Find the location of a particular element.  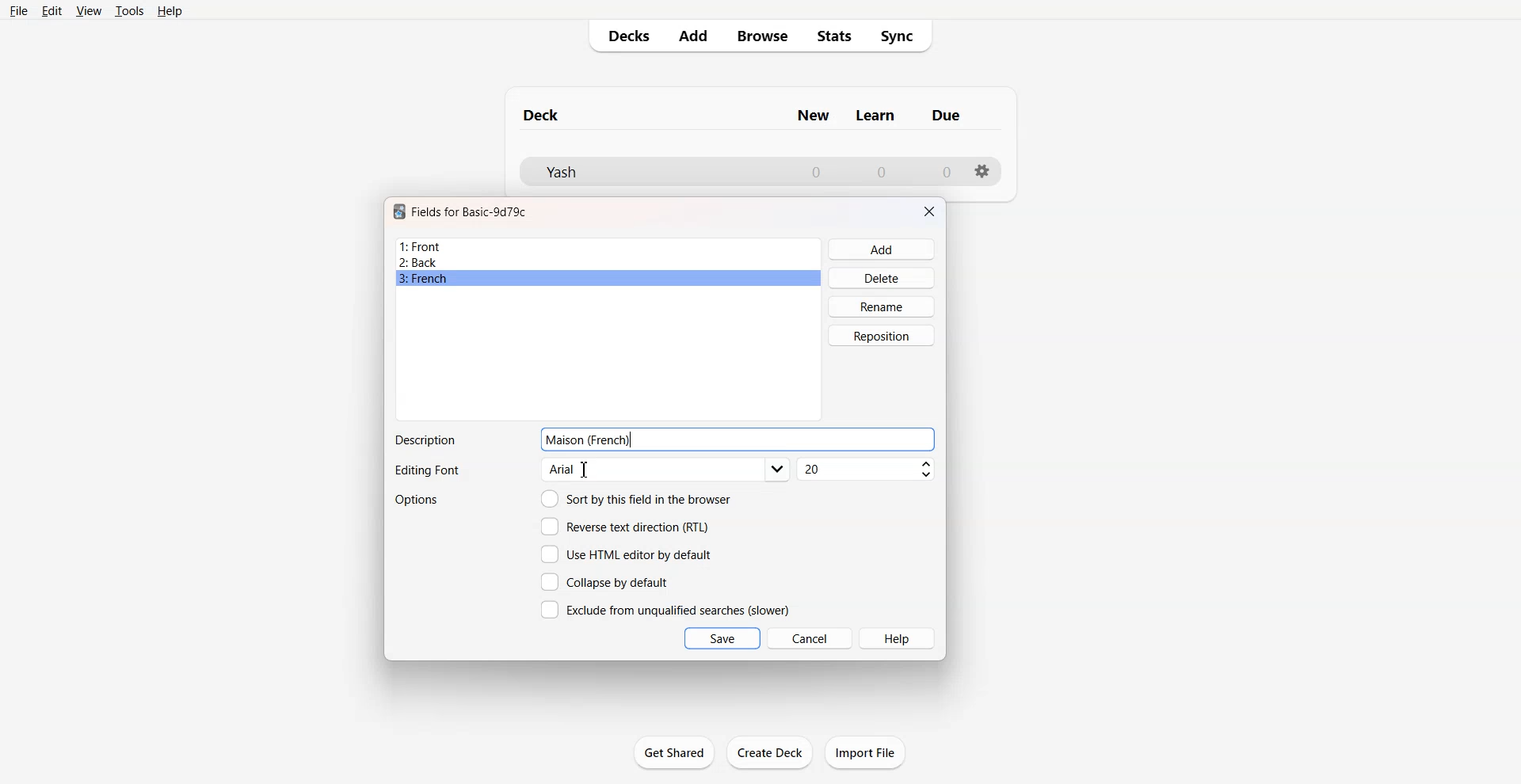

Column name is located at coordinates (875, 116).